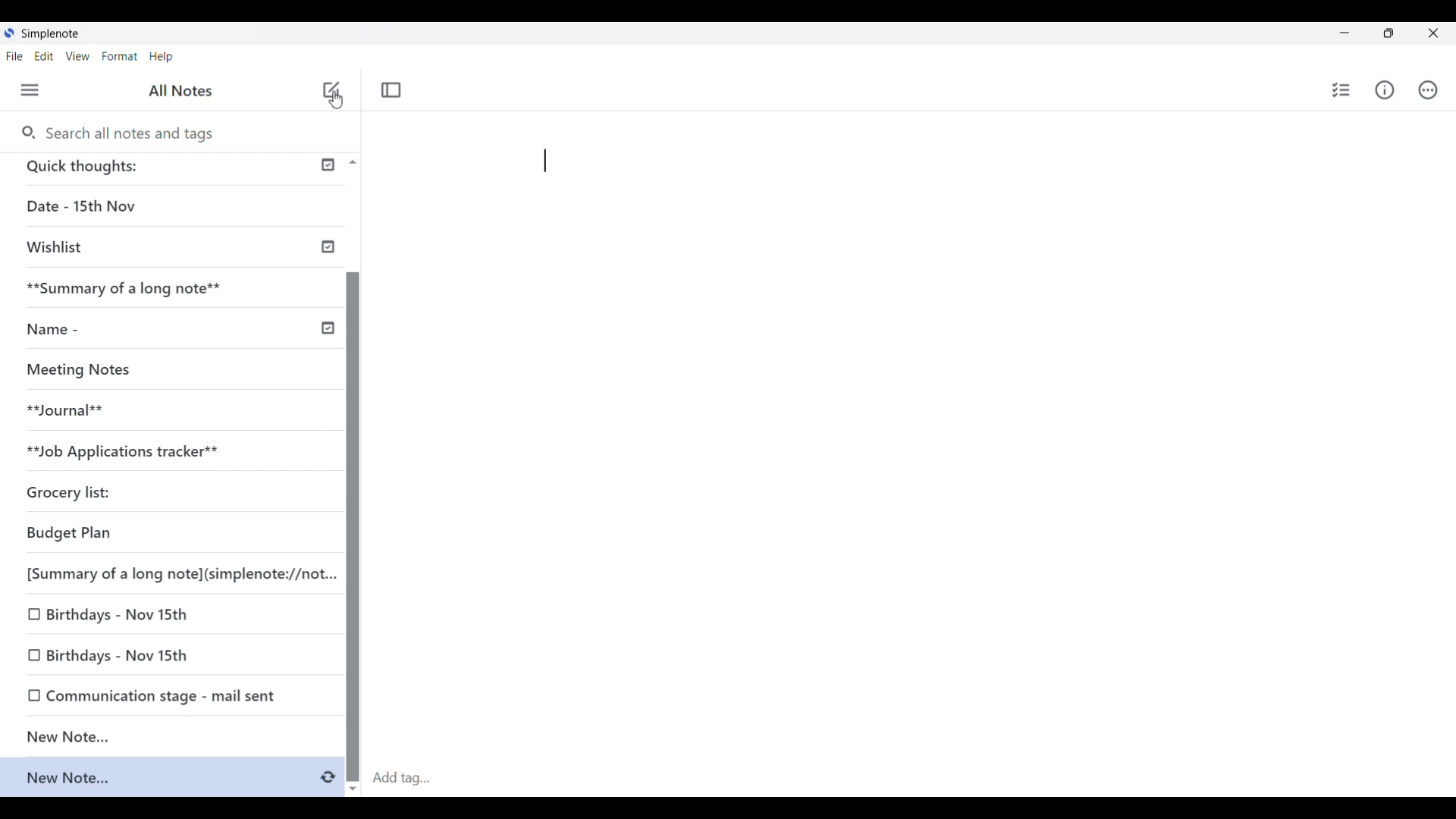 This screenshot has width=1456, height=819. I want to click on Quick thoughts, so click(143, 168).